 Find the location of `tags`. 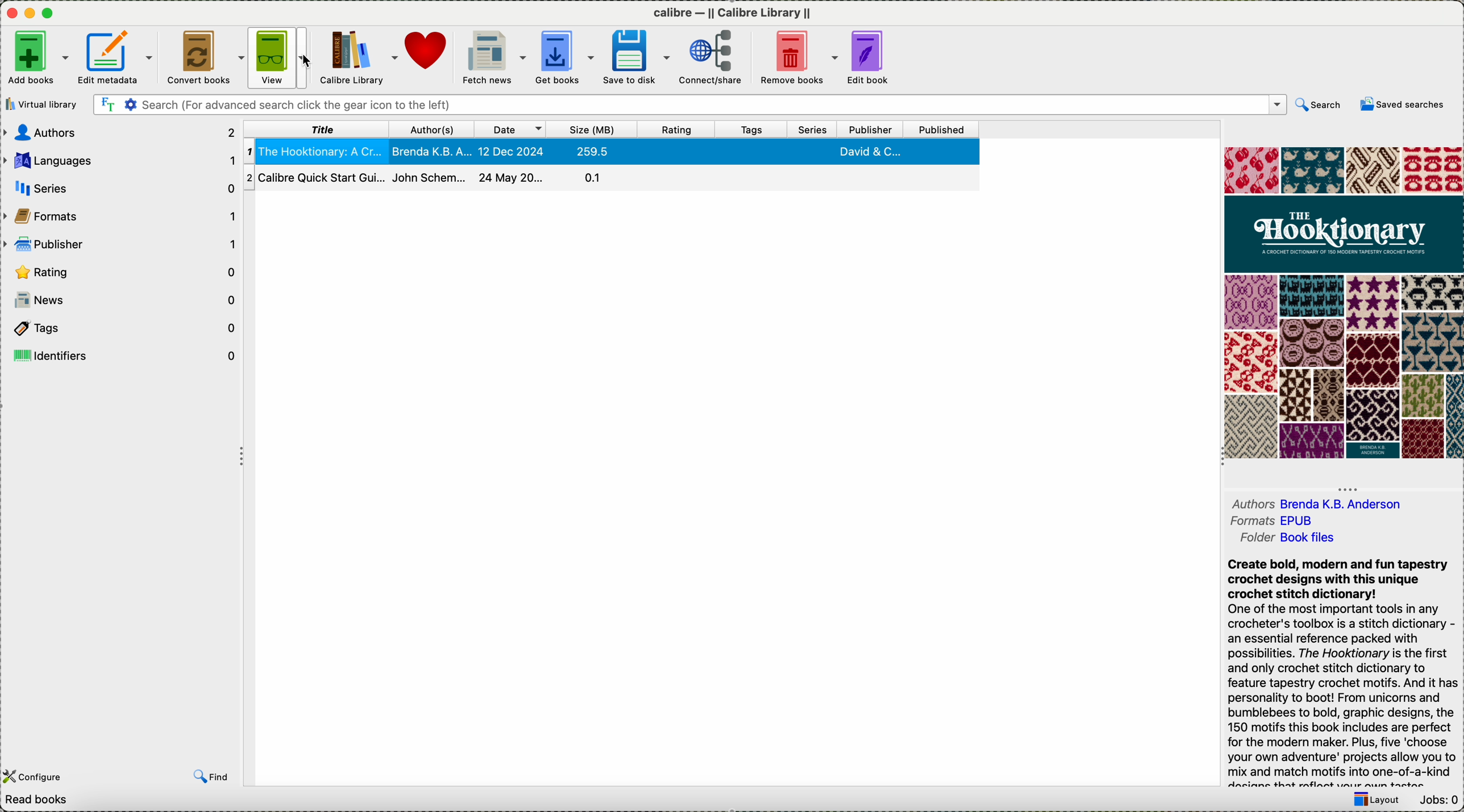

tags is located at coordinates (756, 129).